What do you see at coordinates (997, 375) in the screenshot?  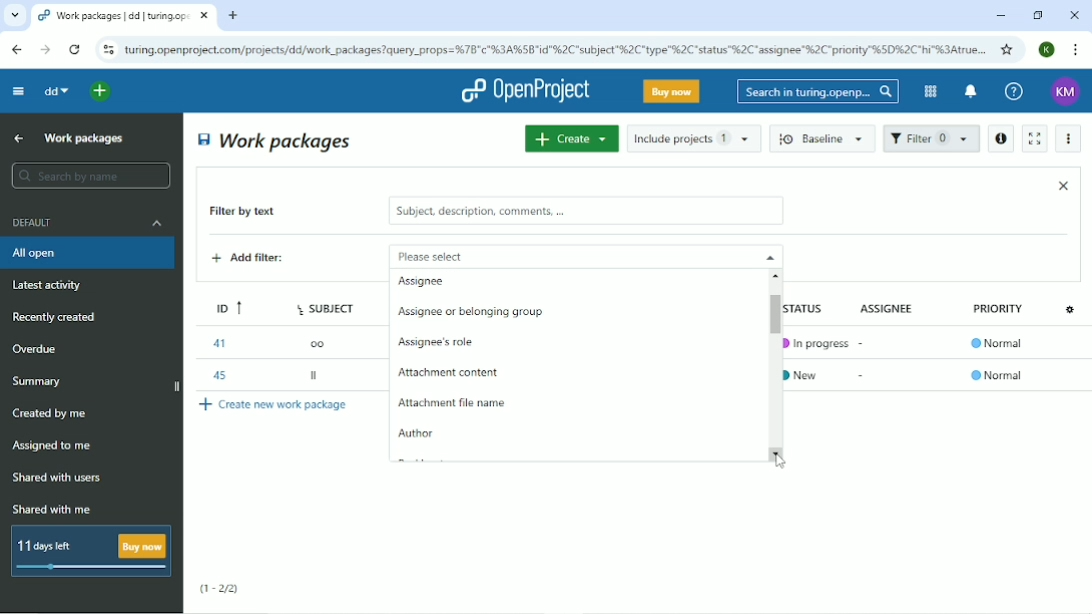 I see `Normal` at bounding box center [997, 375].